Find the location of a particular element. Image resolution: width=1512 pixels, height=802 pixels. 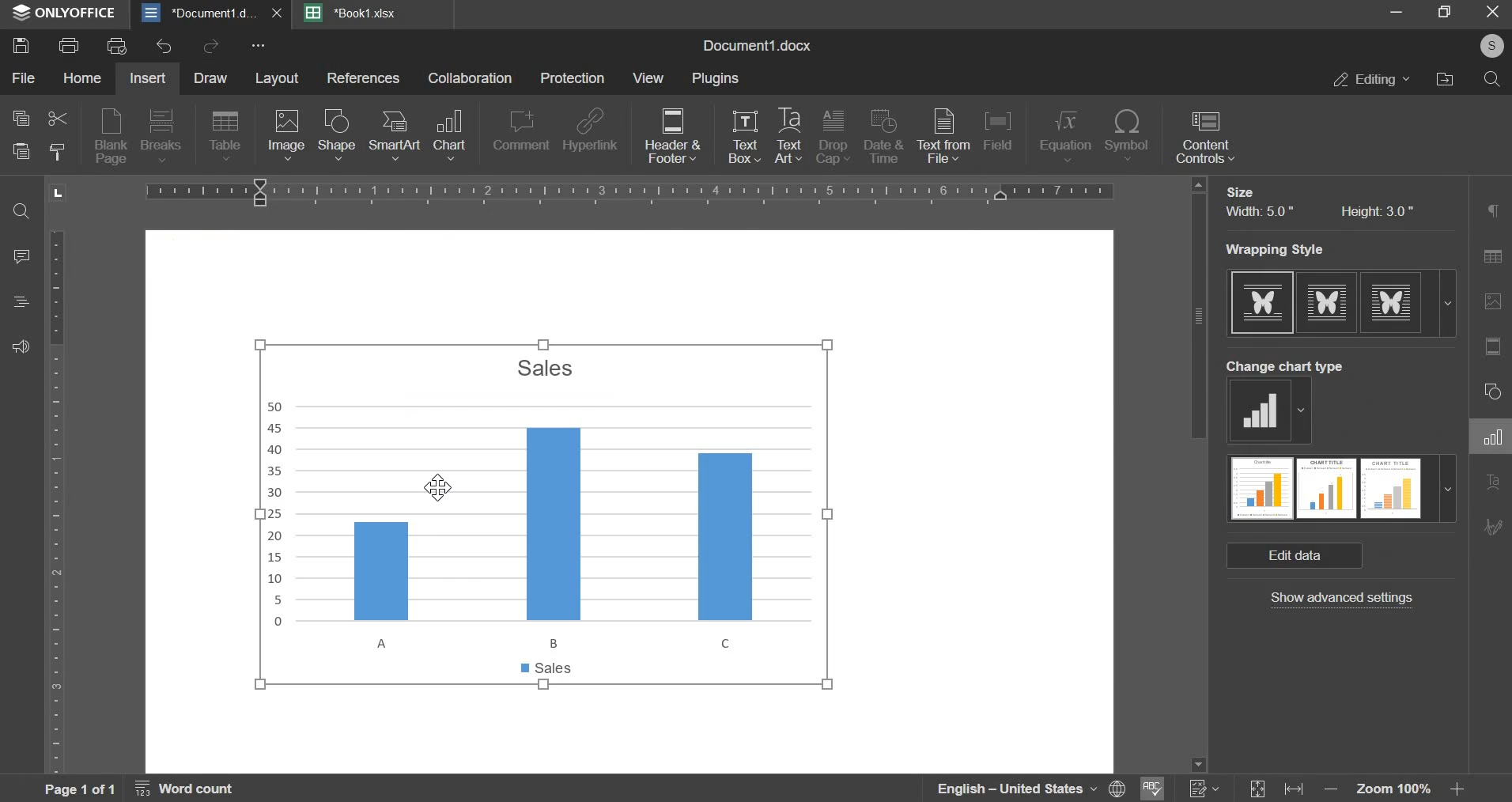

print is located at coordinates (69, 46).